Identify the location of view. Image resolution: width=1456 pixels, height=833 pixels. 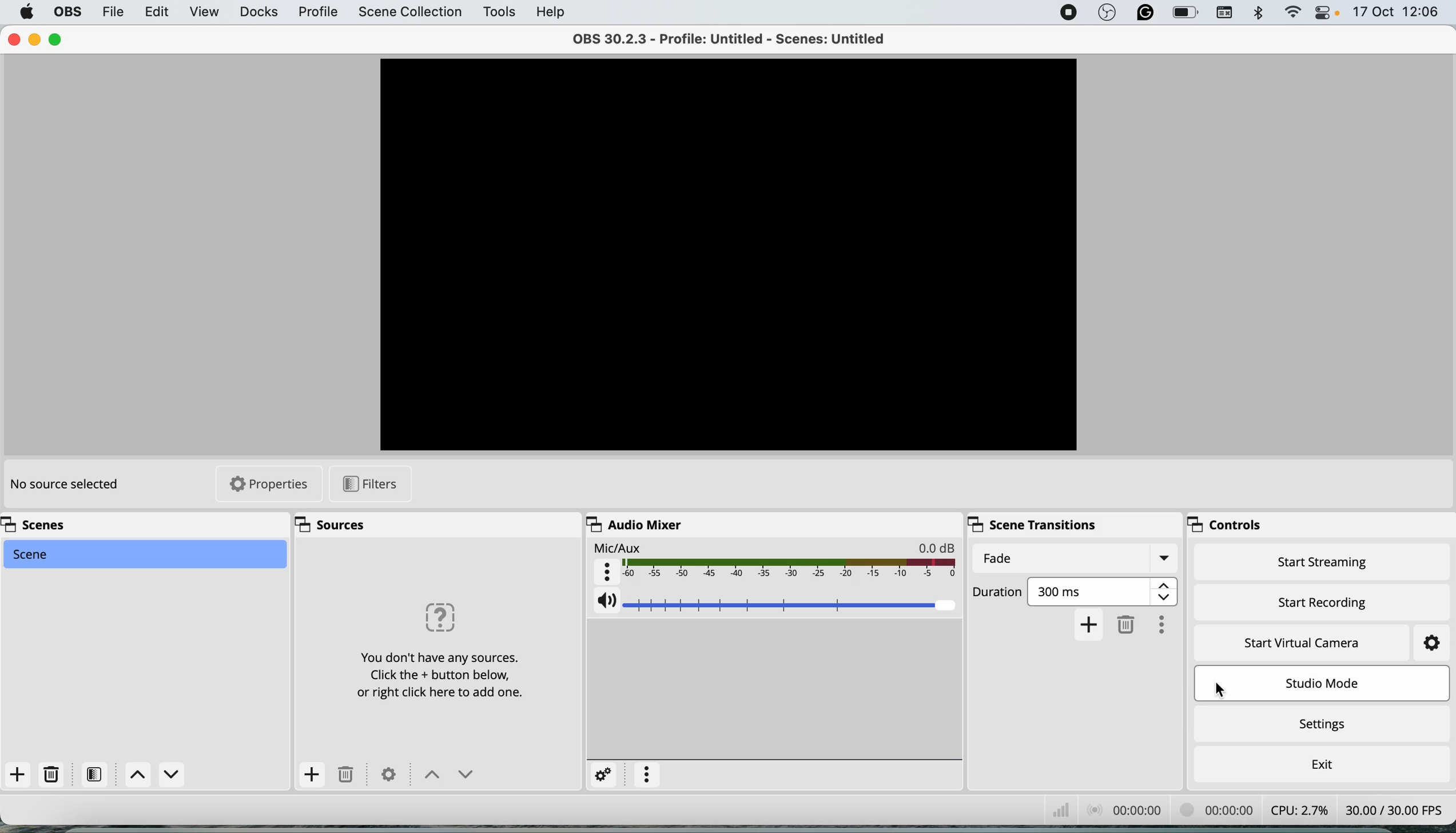
(204, 11).